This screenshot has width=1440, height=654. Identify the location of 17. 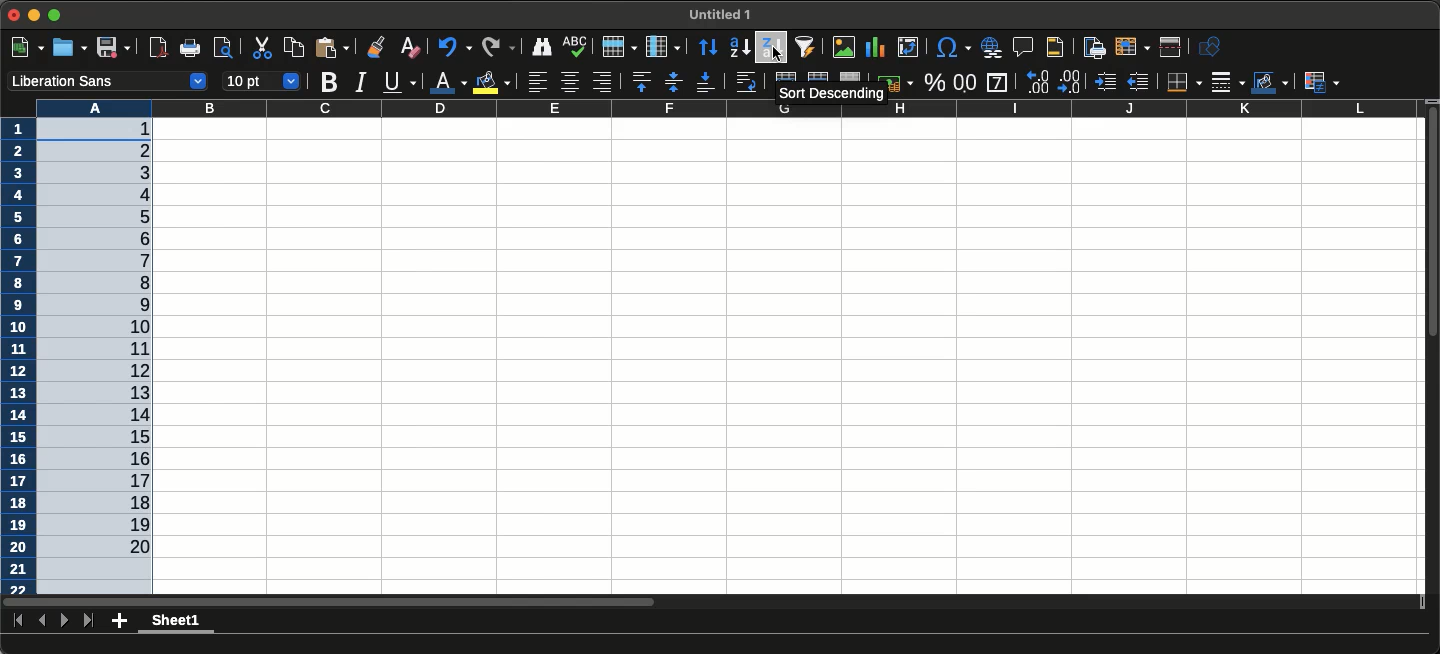
(124, 481).